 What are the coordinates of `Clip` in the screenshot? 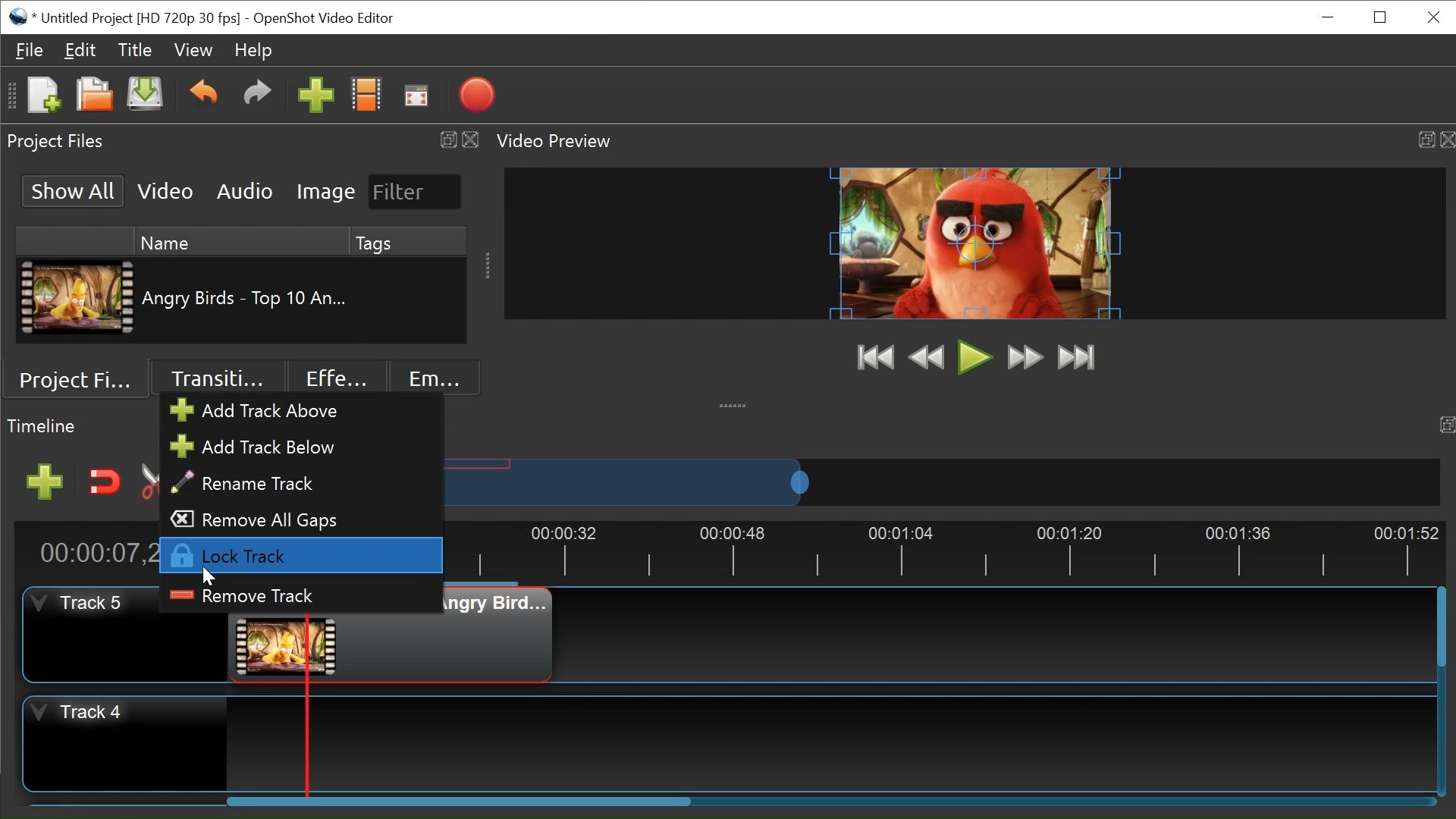 It's located at (78, 299).